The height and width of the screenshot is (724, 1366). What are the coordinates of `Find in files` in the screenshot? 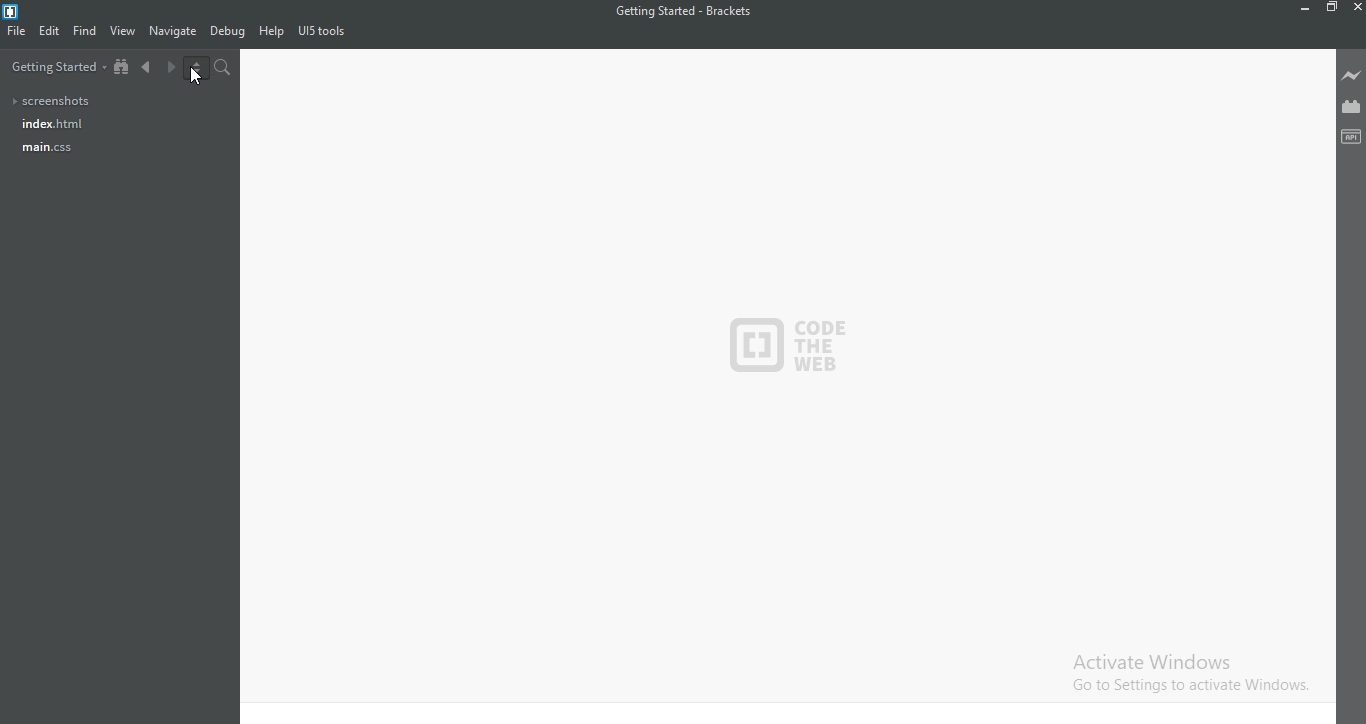 It's located at (223, 68).